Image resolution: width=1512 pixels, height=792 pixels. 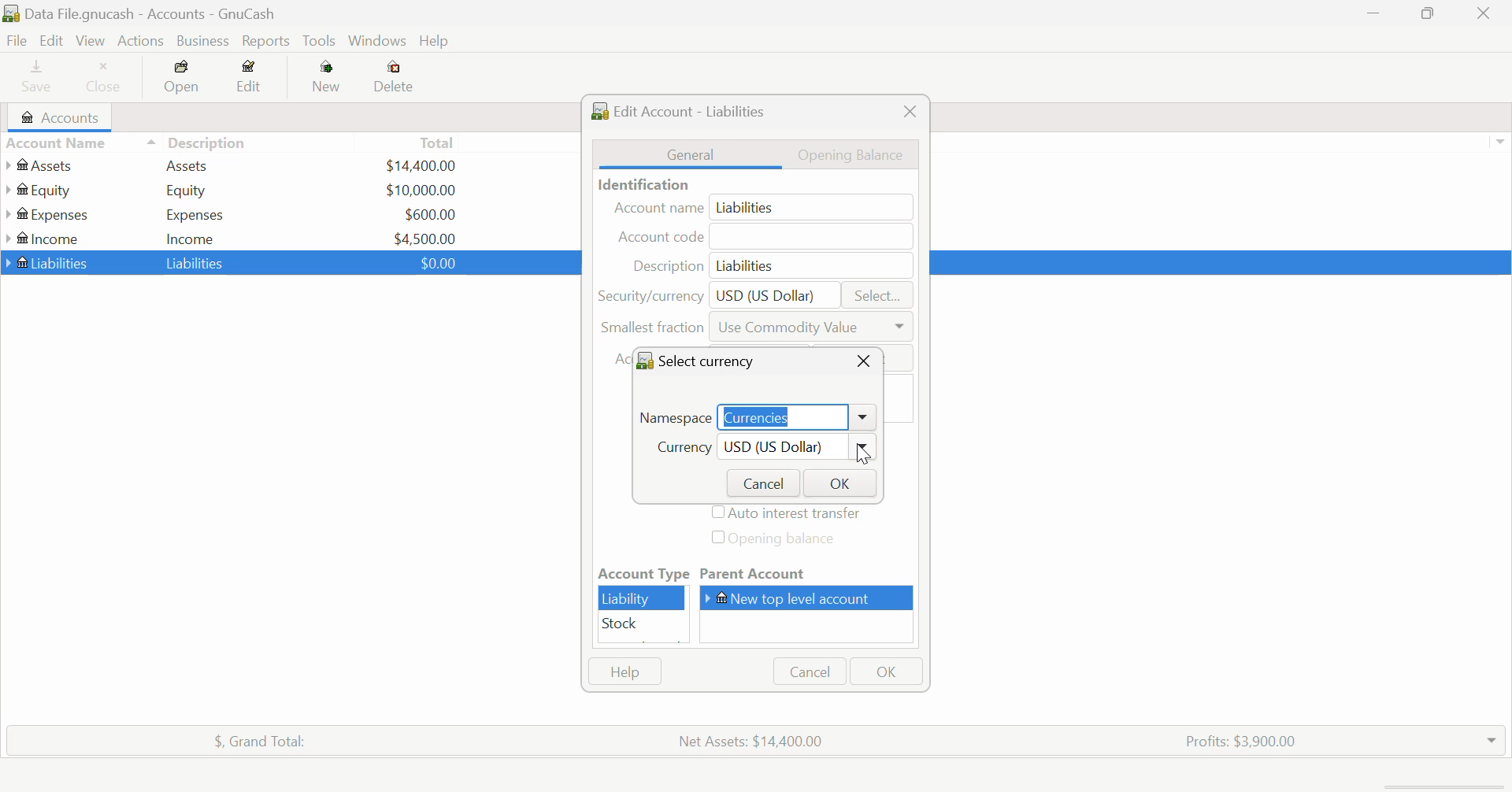 I want to click on Close, so click(x=909, y=112).